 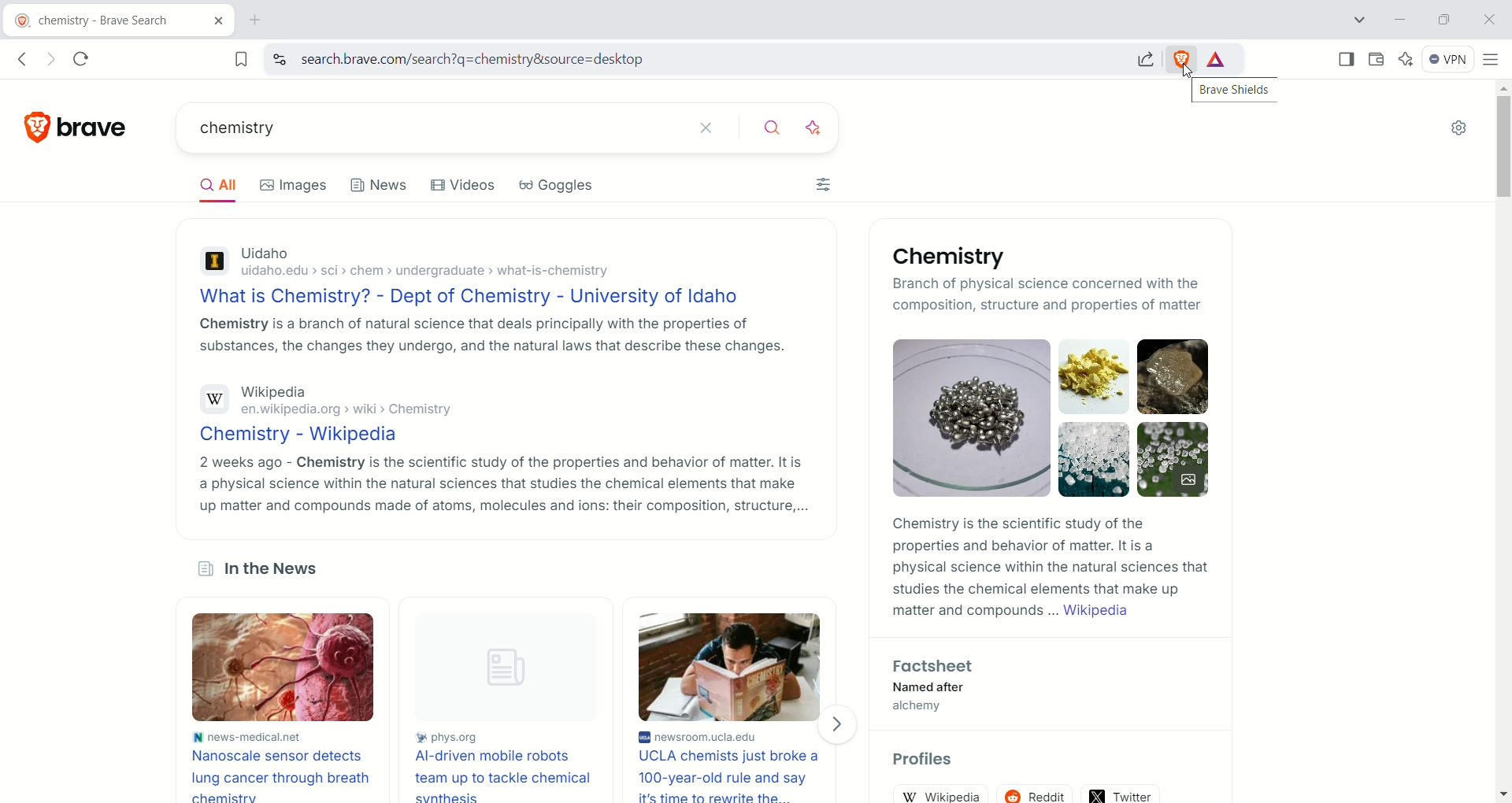 What do you see at coordinates (501, 668) in the screenshot?
I see `blank thumbnail` at bounding box center [501, 668].